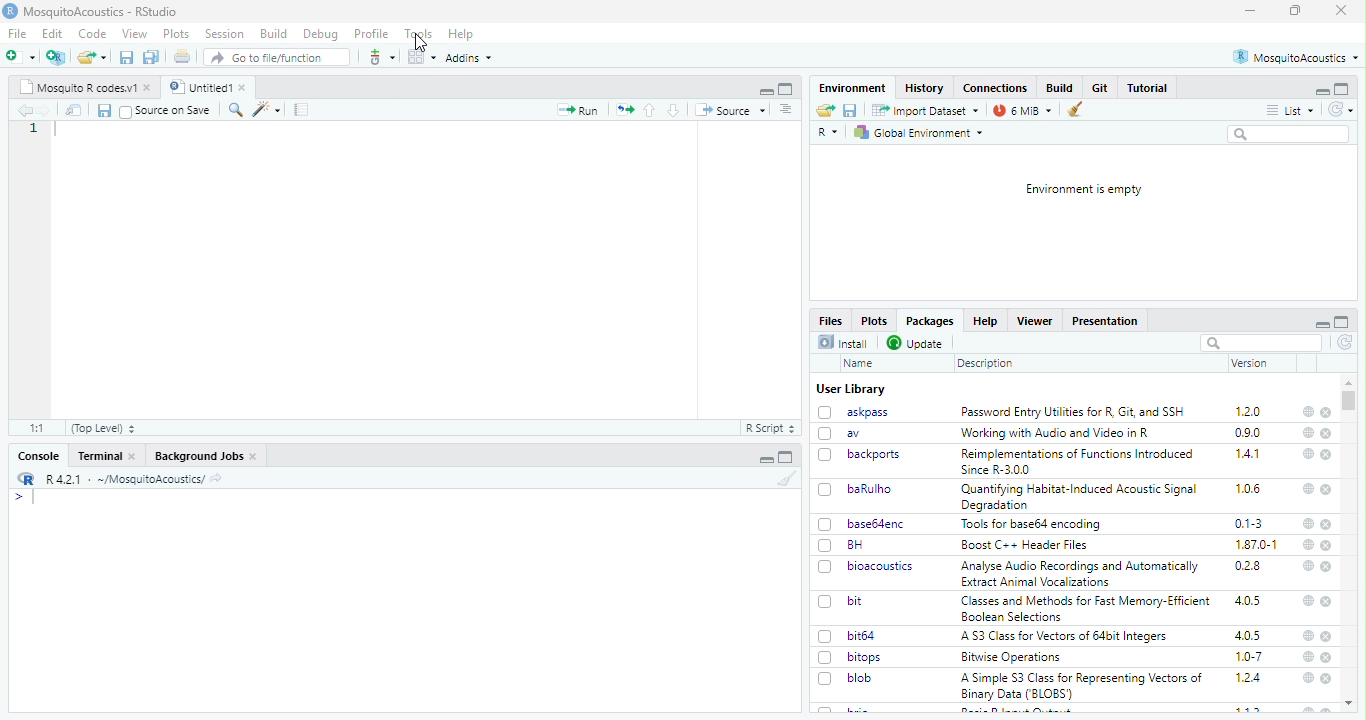 The image size is (1366, 720). Describe the element at coordinates (216, 480) in the screenshot. I see `share` at that location.